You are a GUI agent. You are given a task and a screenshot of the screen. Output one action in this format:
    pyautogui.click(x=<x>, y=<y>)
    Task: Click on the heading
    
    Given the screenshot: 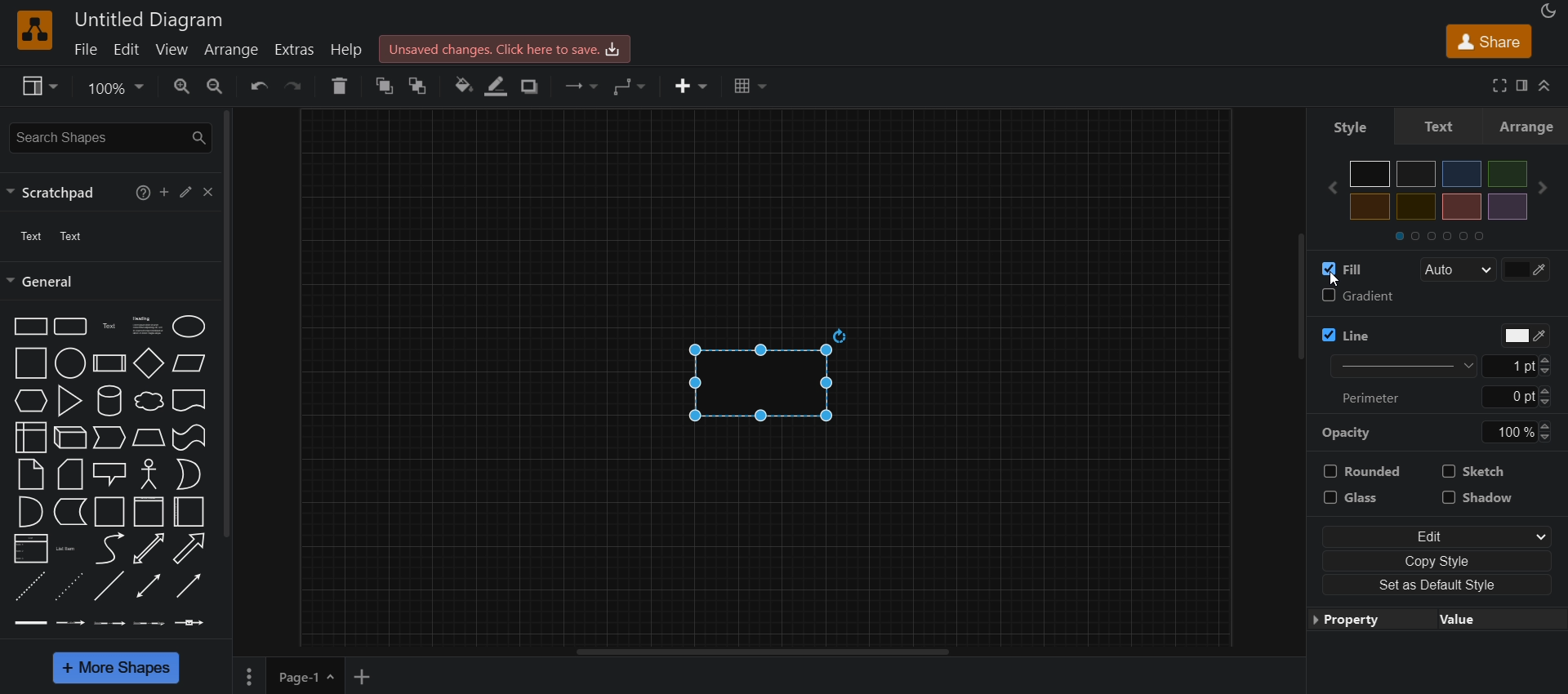 What is the action you would take?
    pyautogui.click(x=145, y=325)
    